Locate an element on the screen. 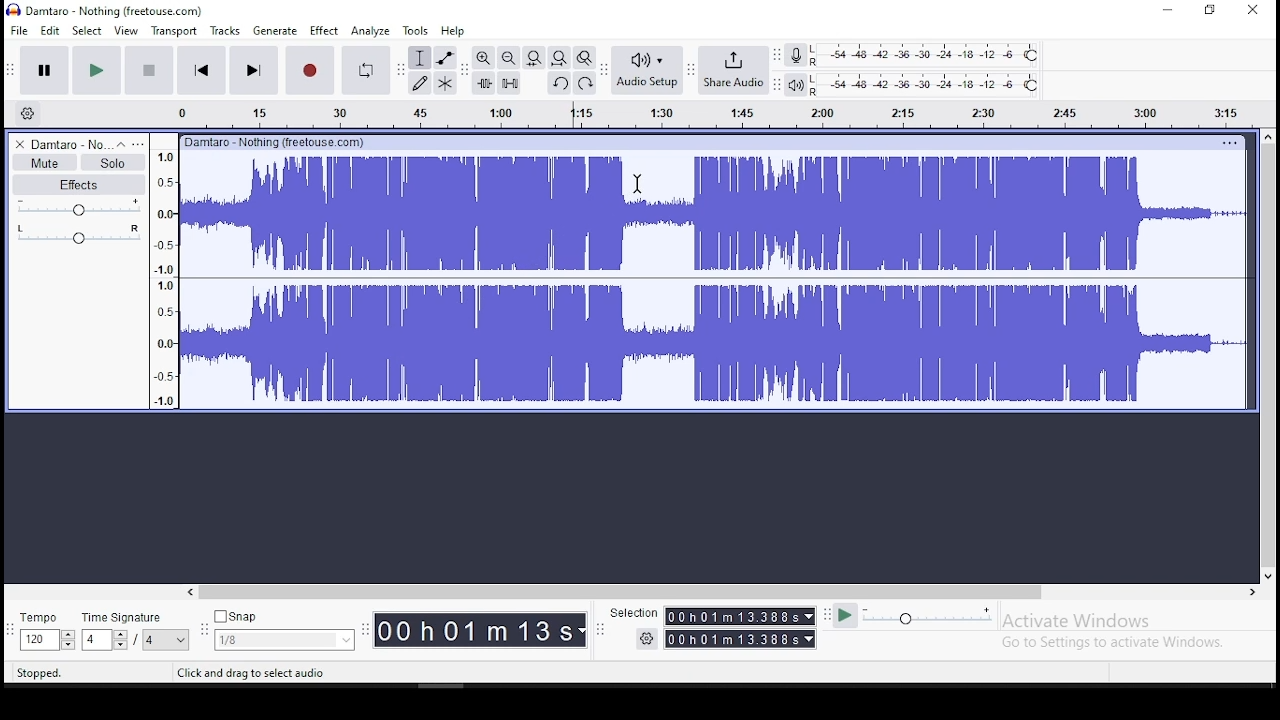 The image size is (1280, 720). settings is located at coordinates (647, 639).